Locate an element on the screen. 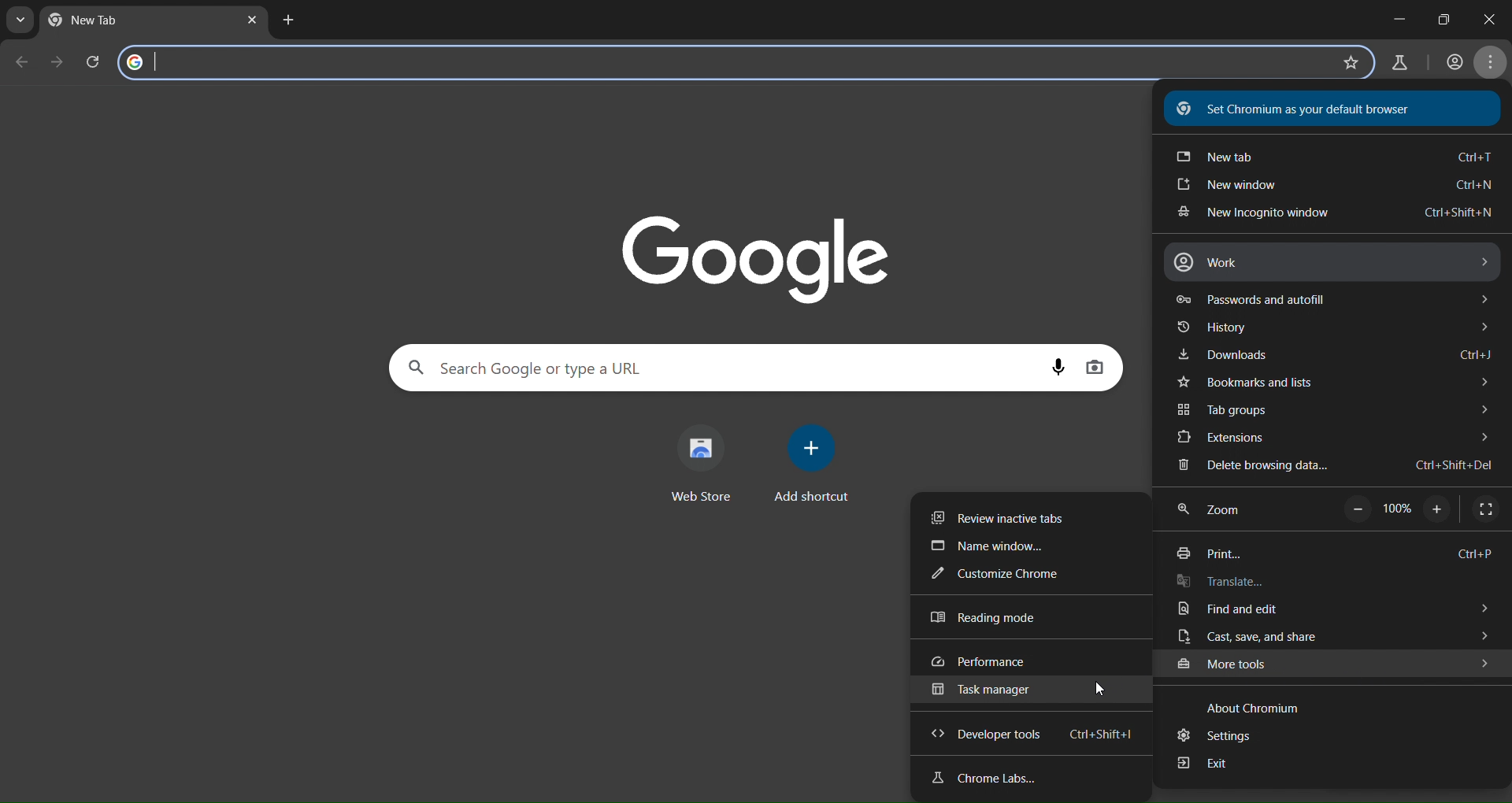 Image resolution: width=1512 pixels, height=803 pixels. reading mode is located at coordinates (980, 618).